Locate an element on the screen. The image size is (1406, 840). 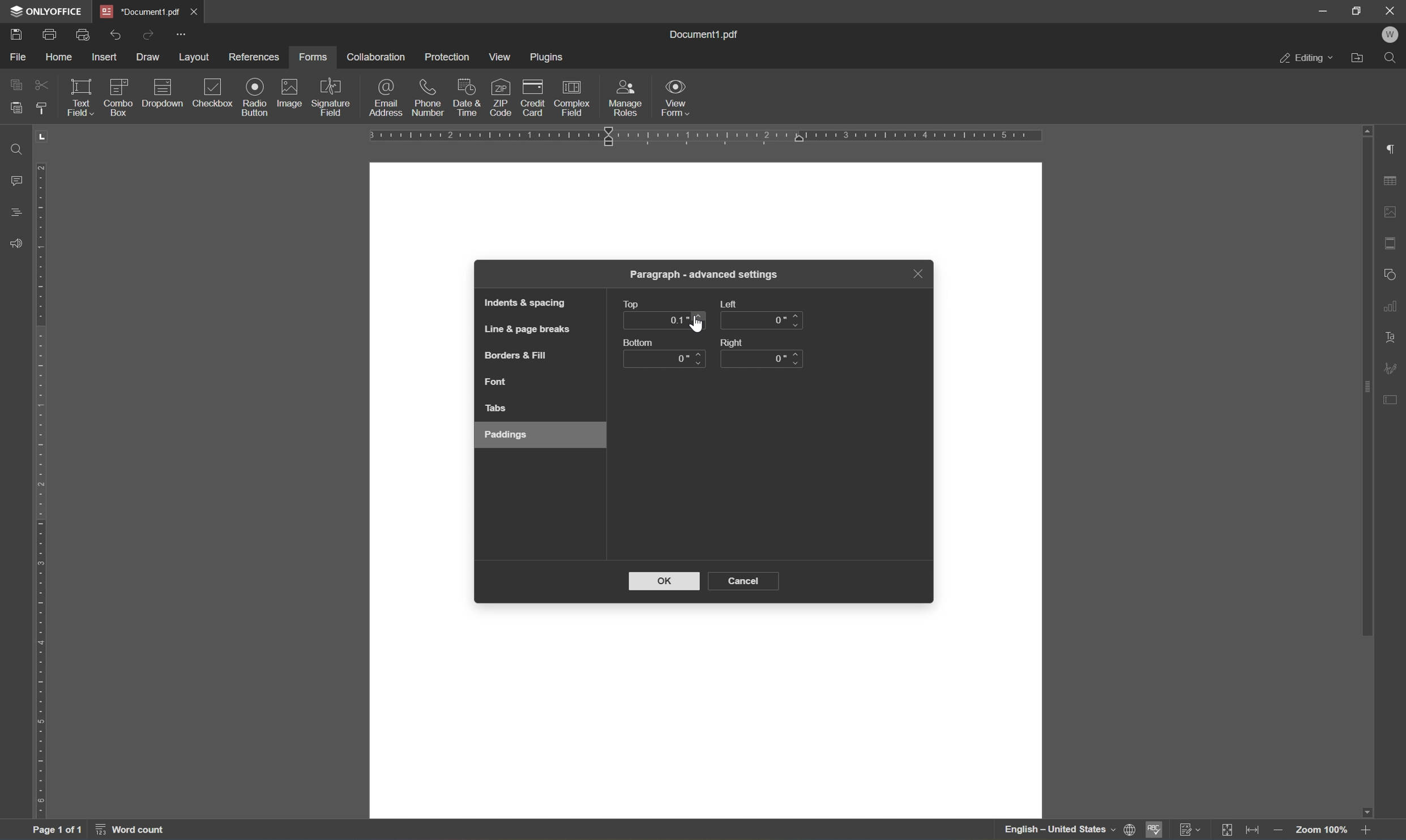
layout is located at coordinates (194, 57).